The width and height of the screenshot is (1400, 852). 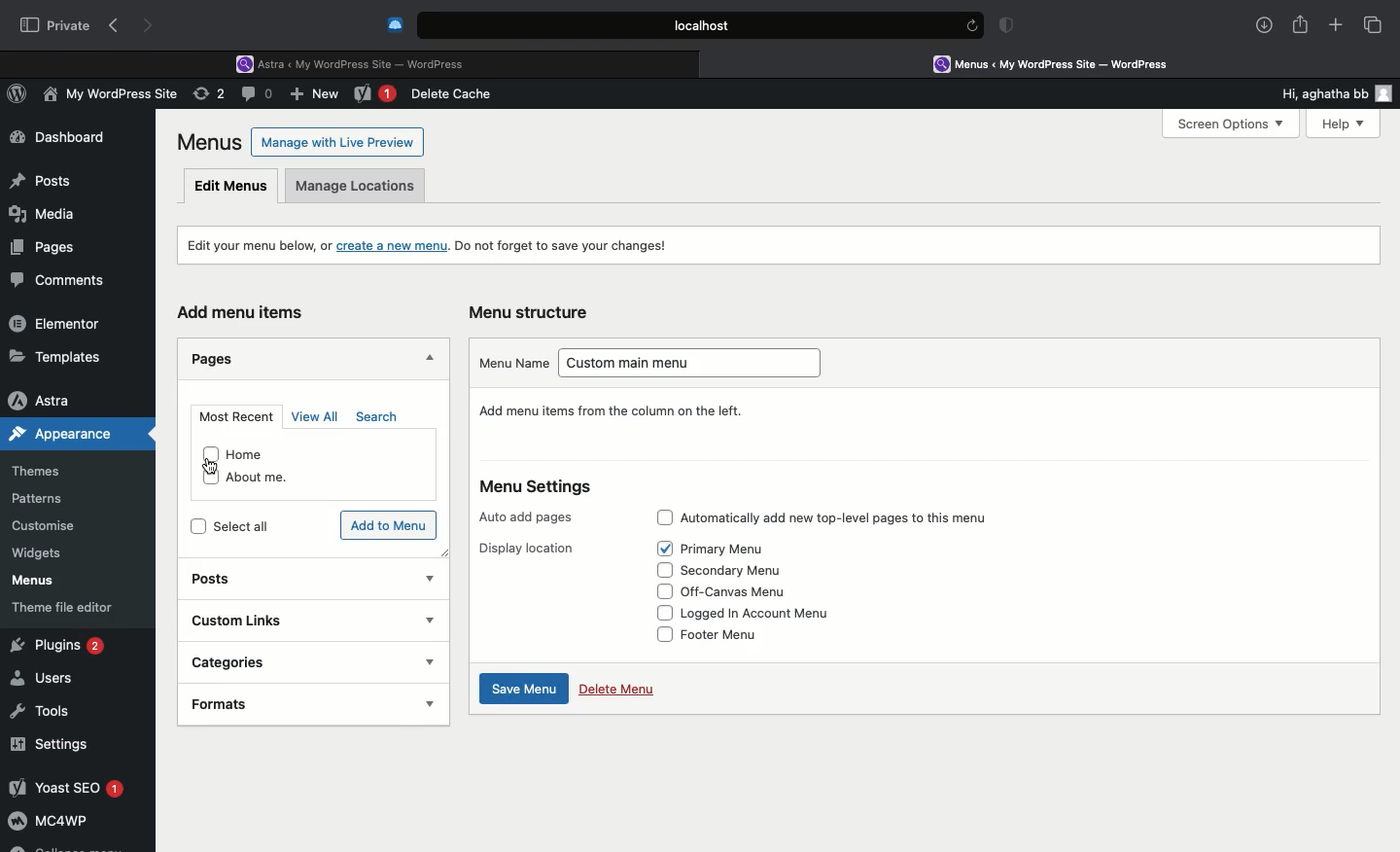 I want to click on Check box, so click(x=662, y=549).